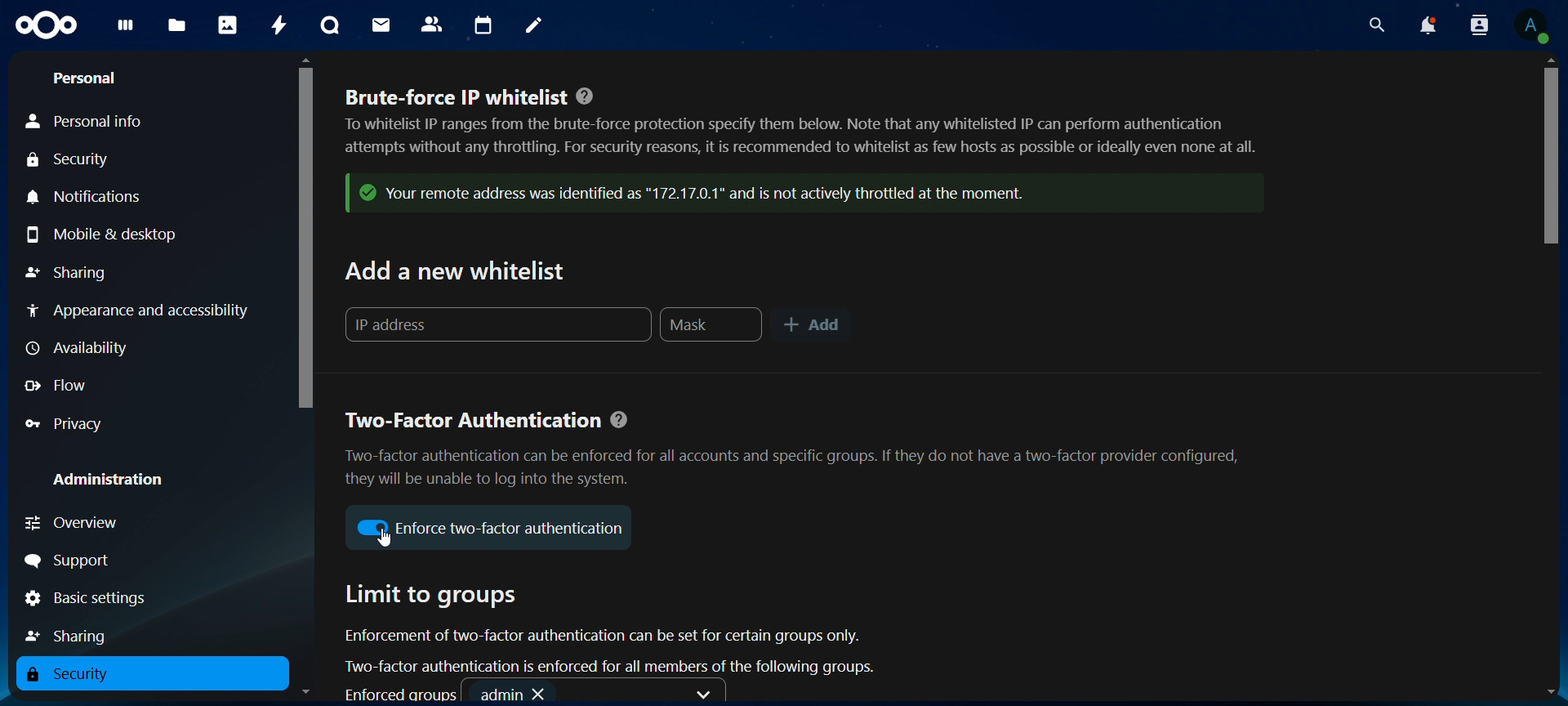  What do you see at coordinates (69, 161) in the screenshot?
I see `security` at bounding box center [69, 161].